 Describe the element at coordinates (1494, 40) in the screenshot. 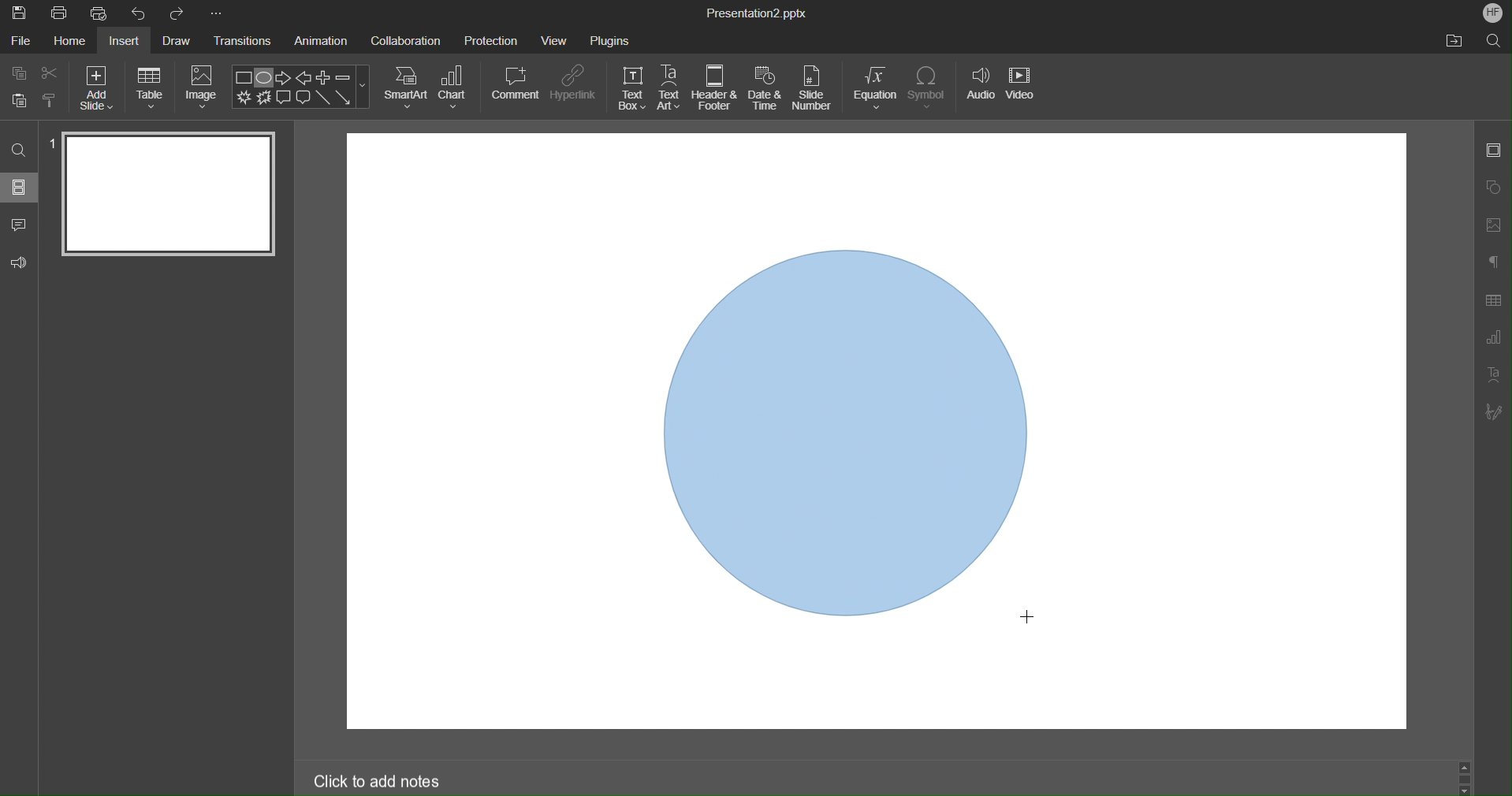

I see `Search` at that location.